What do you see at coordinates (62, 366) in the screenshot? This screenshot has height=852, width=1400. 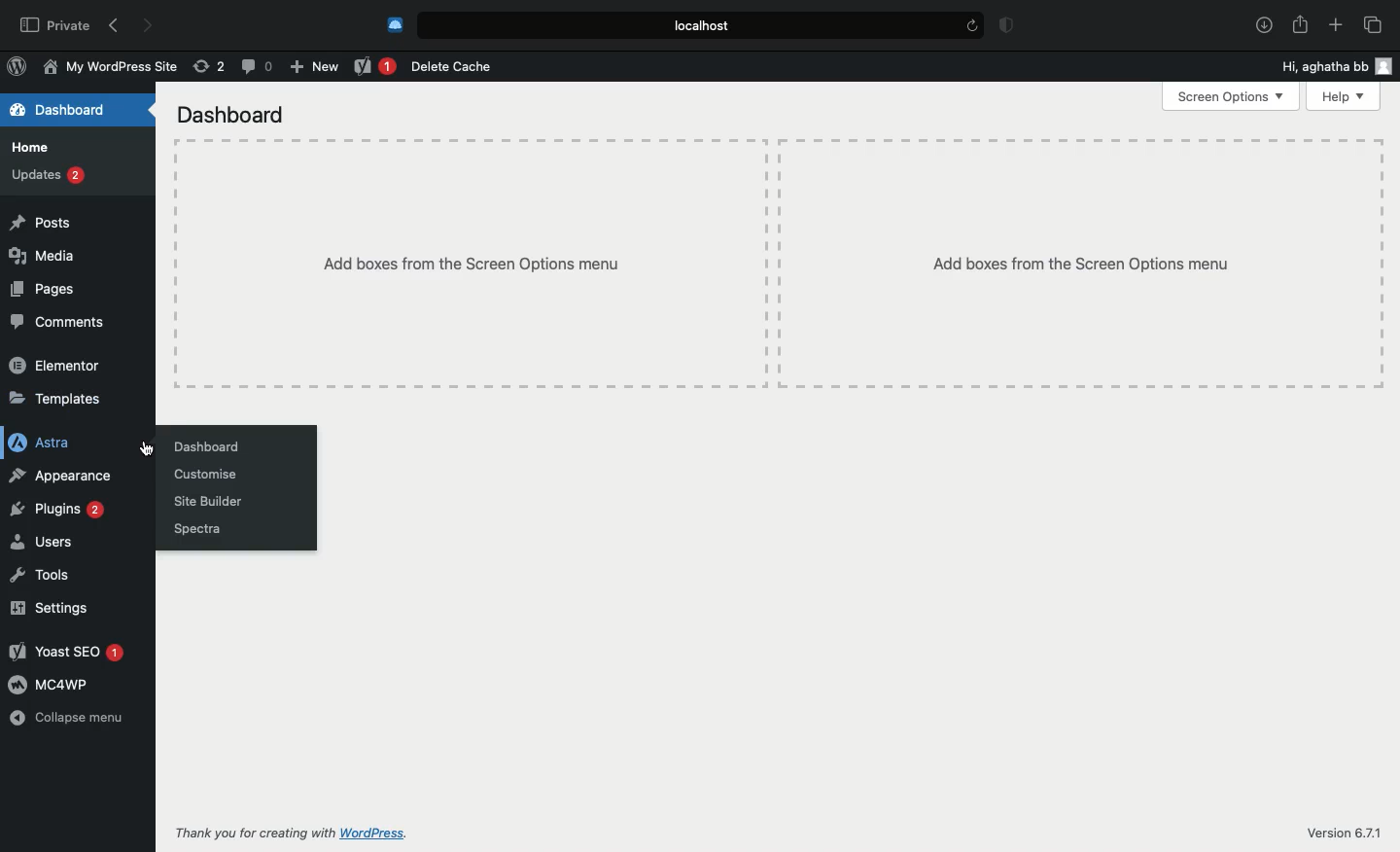 I see `Elementor` at bounding box center [62, 366].